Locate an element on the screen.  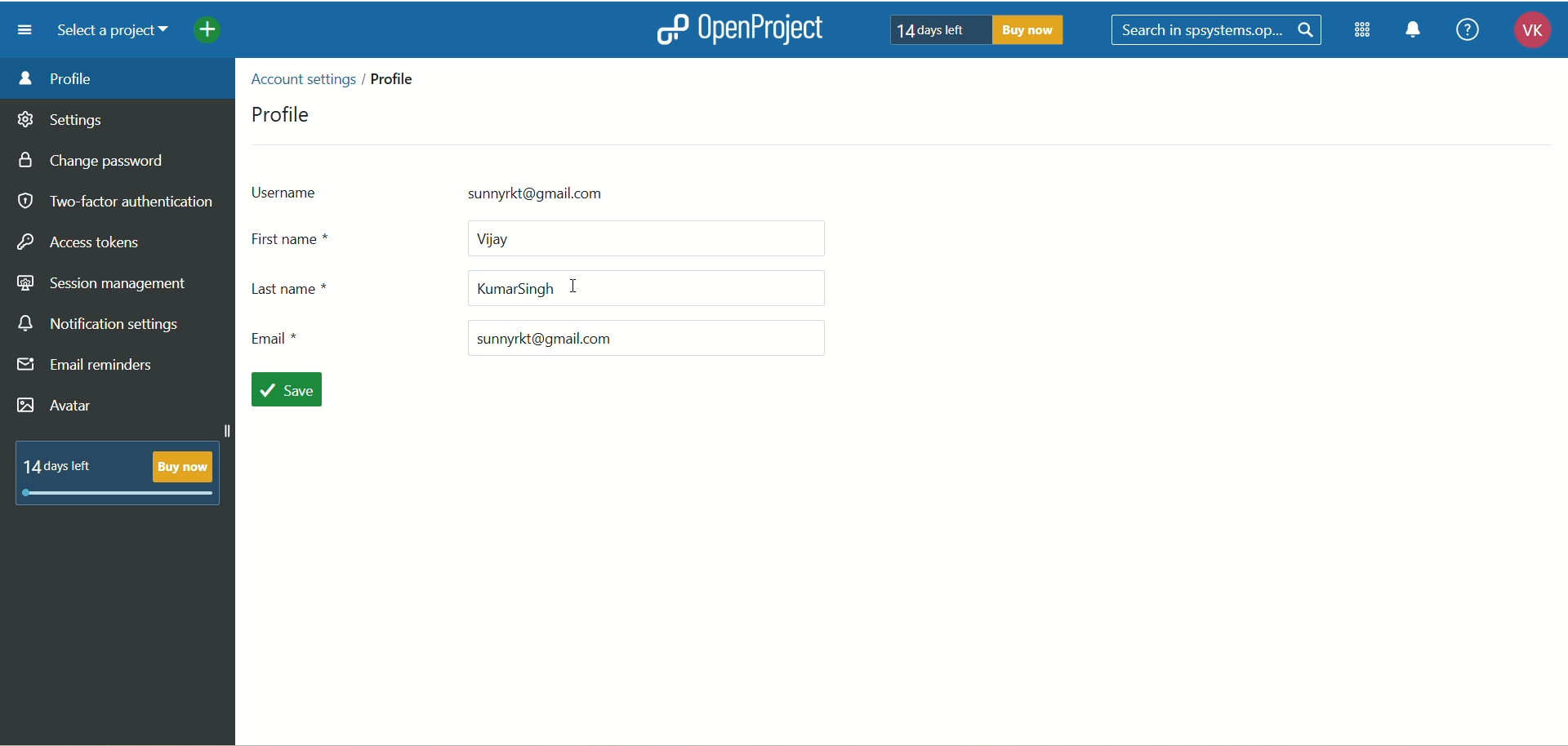
notification is located at coordinates (1419, 33).